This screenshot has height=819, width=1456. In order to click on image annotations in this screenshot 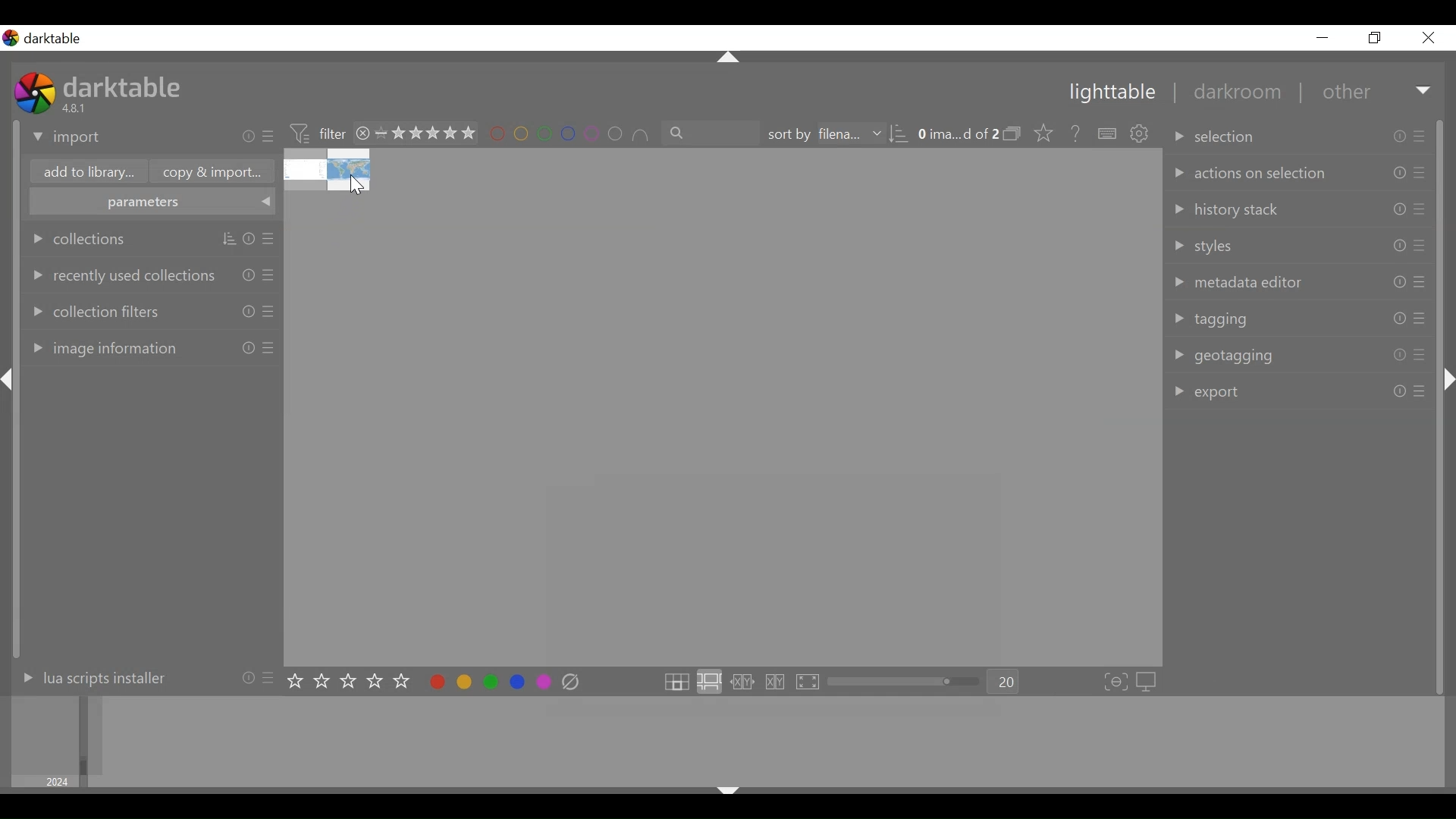, I will do `click(121, 349)`.